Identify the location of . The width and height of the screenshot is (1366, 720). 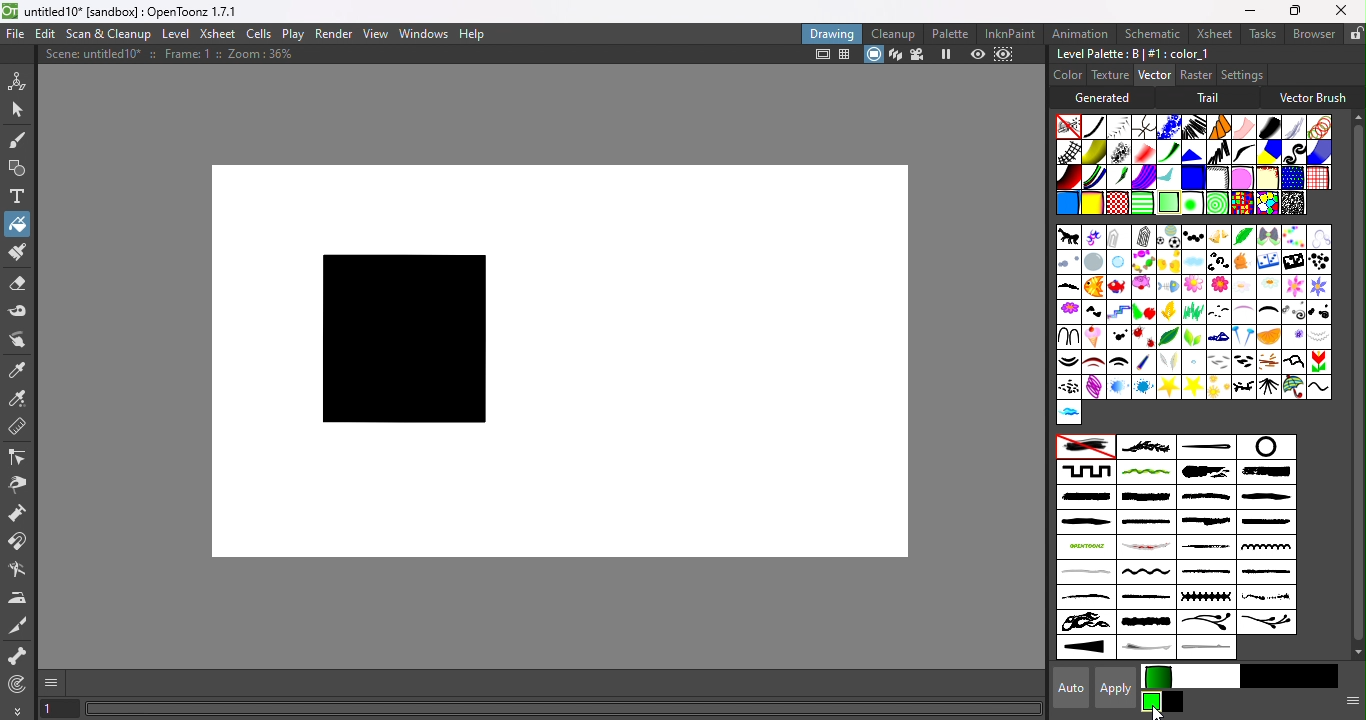
(1167, 313).